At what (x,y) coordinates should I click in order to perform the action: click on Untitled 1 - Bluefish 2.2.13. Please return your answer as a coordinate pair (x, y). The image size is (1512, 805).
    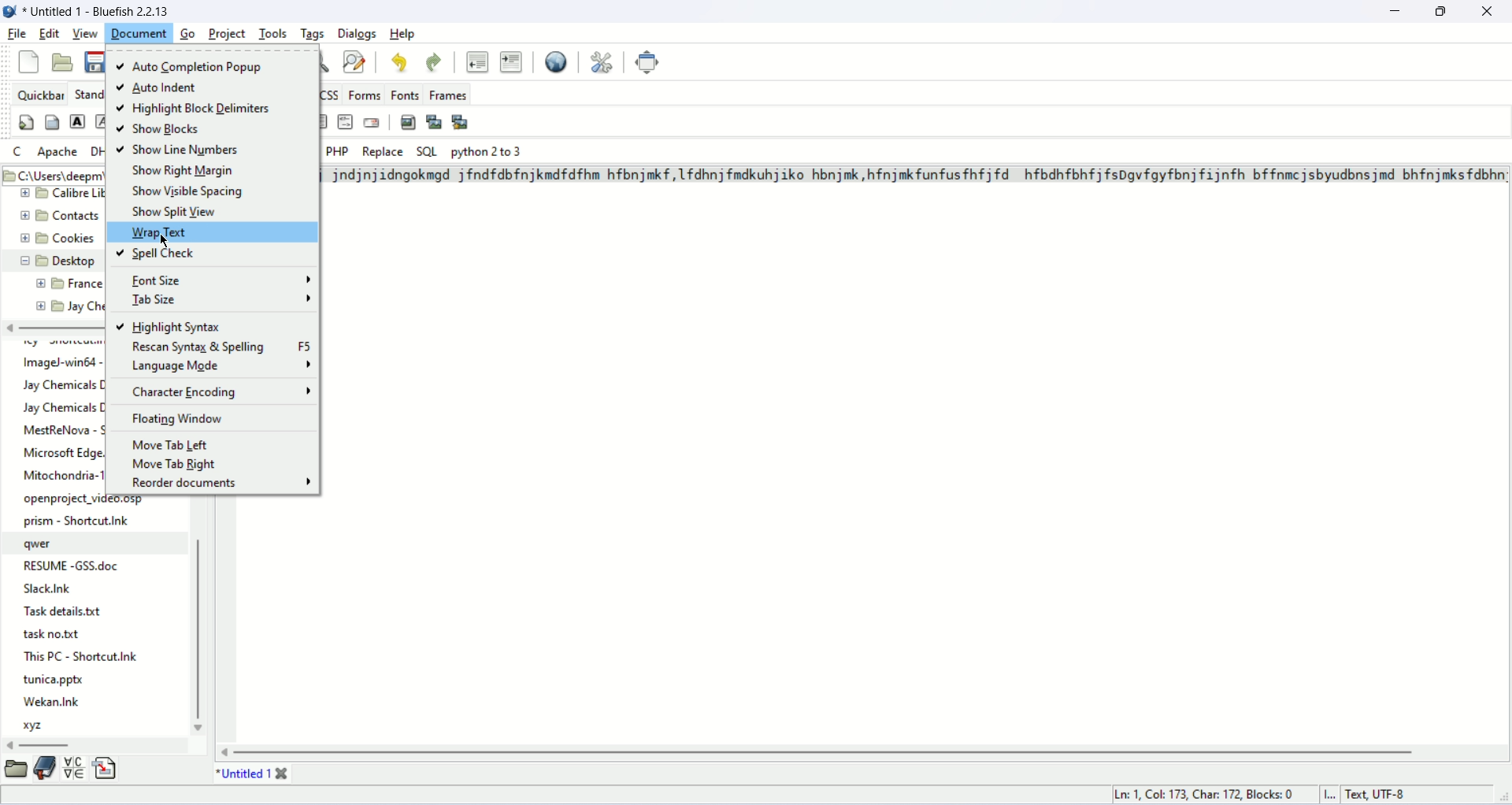
    Looking at the image, I should click on (98, 9).